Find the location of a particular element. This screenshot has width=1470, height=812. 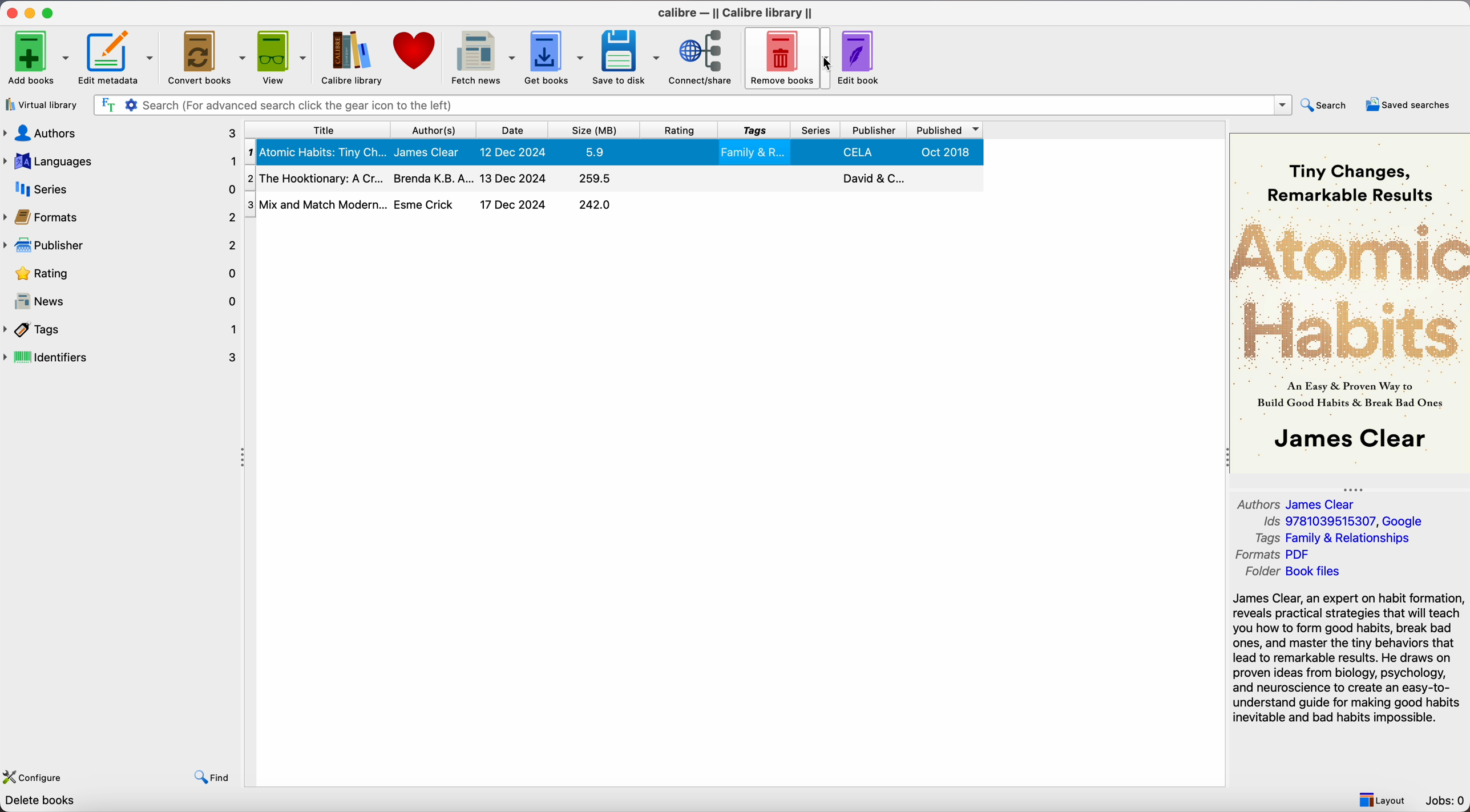

convert books is located at coordinates (205, 57).